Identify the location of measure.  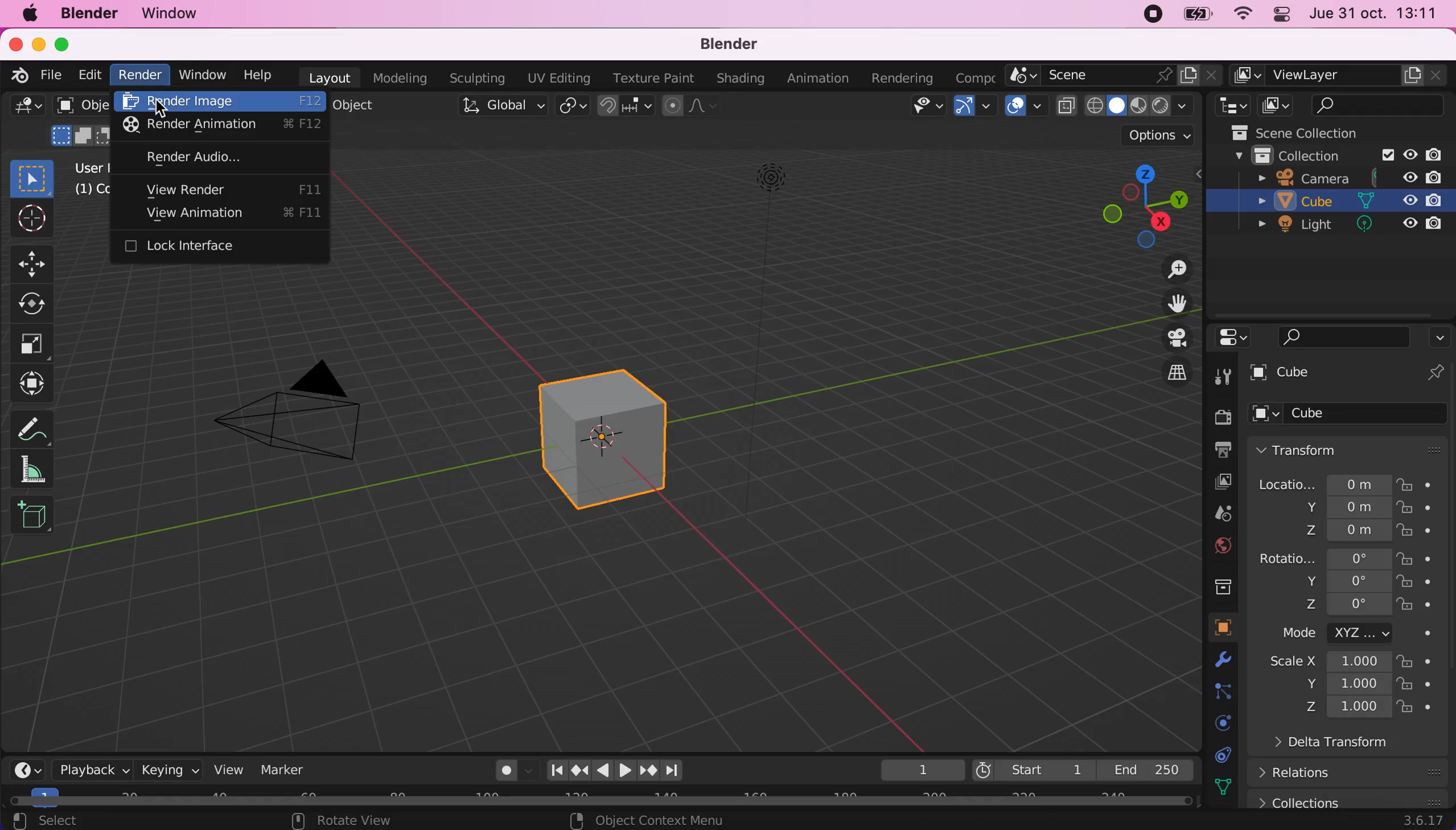
(36, 473).